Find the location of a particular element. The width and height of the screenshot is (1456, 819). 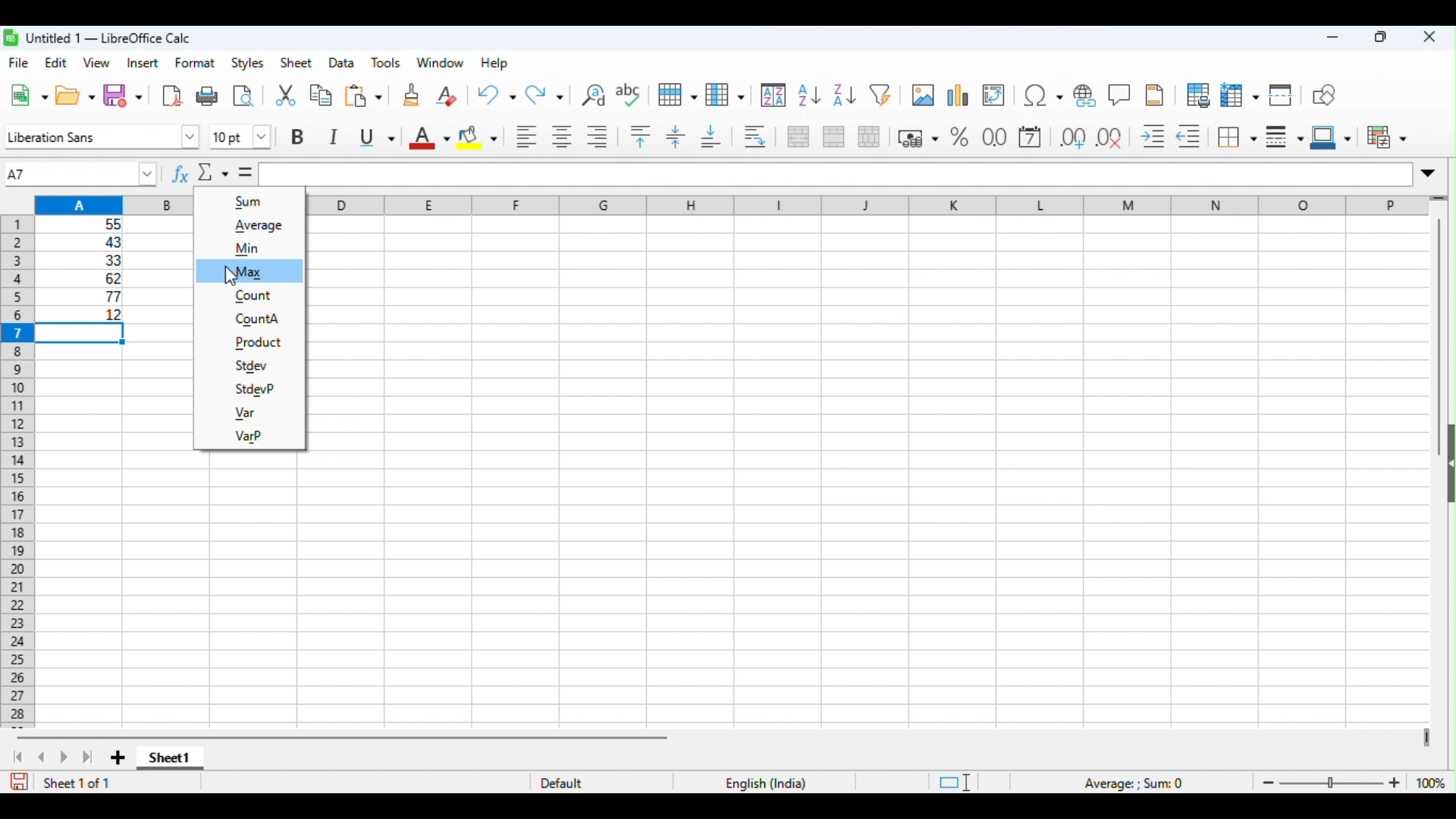

range of cells is located at coordinates (82, 268).